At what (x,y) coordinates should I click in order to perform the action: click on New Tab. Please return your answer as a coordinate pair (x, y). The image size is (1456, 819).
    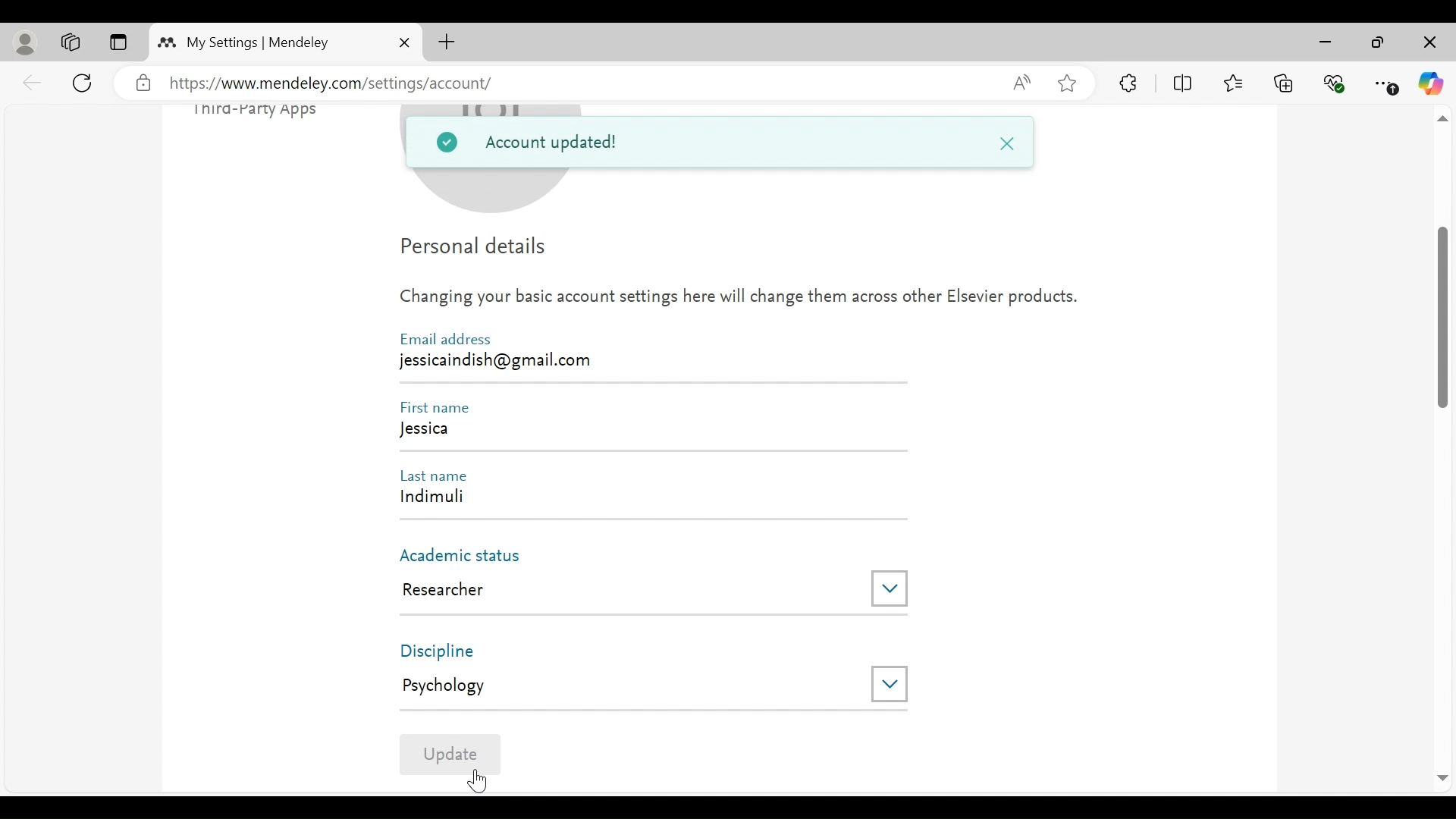
    Looking at the image, I should click on (447, 42).